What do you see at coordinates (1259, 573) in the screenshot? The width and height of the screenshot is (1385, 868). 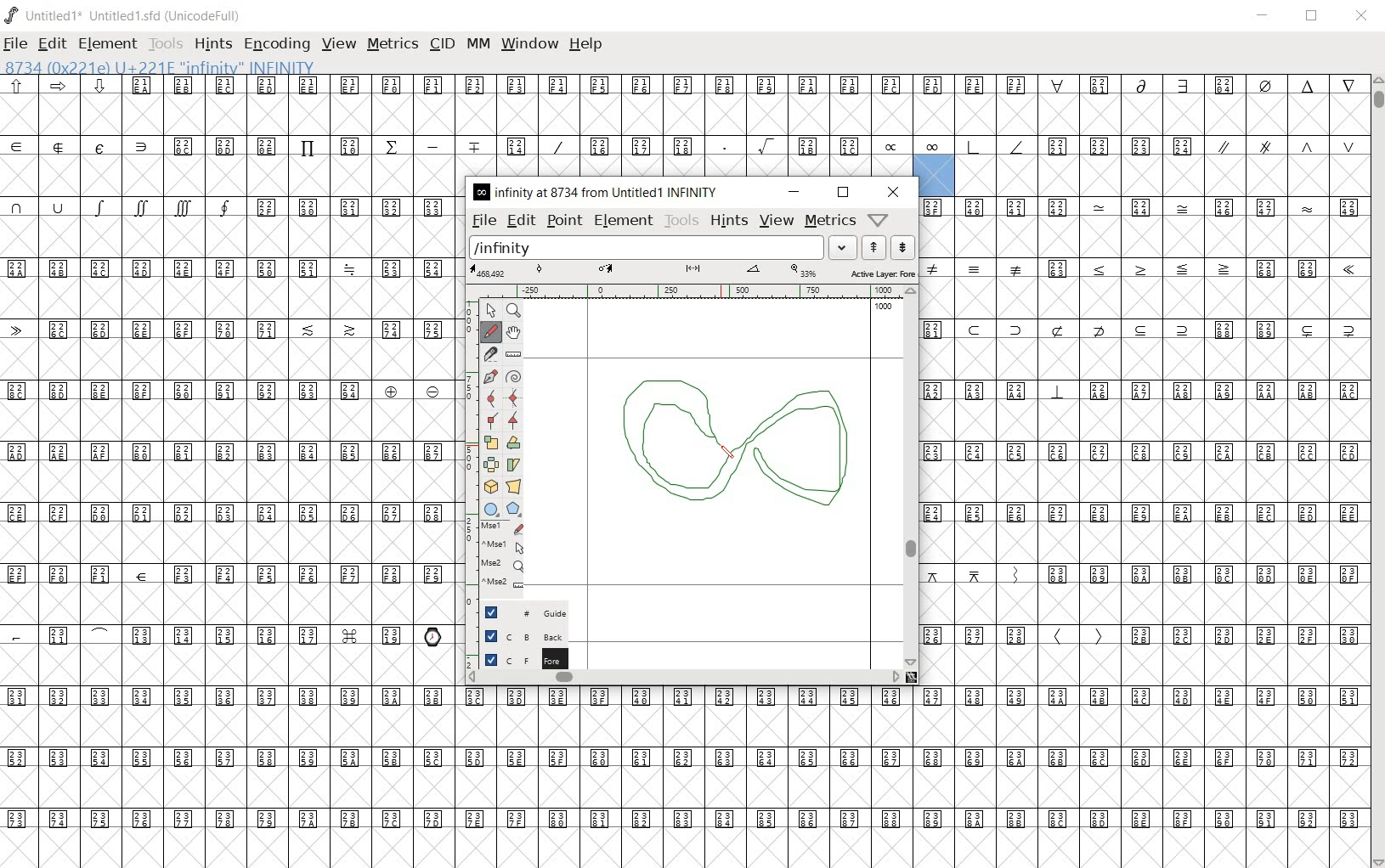 I see `Unicode code points` at bounding box center [1259, 573].